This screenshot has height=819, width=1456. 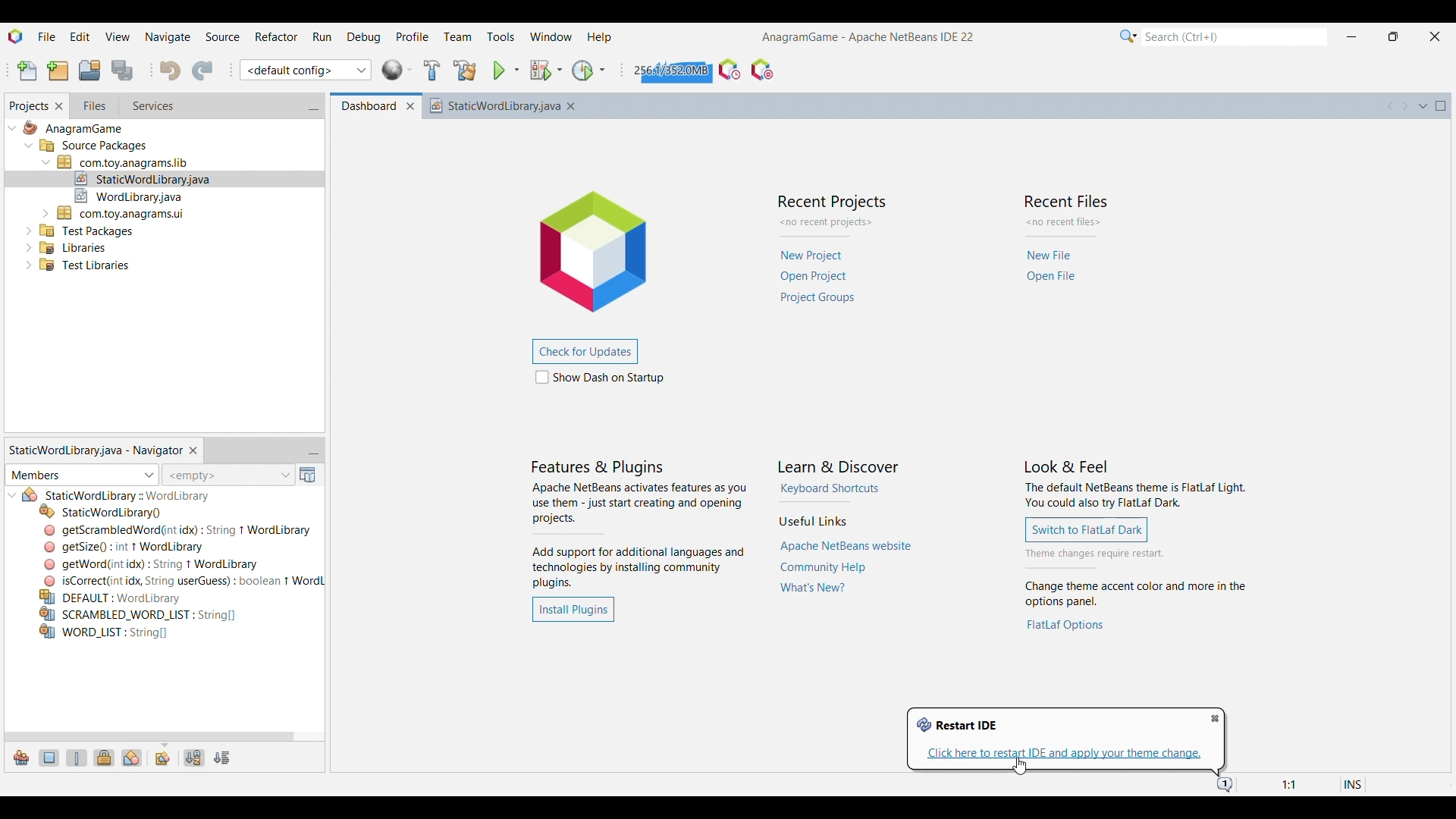 I want to click on Minimize, so click(x=1351, y=37).